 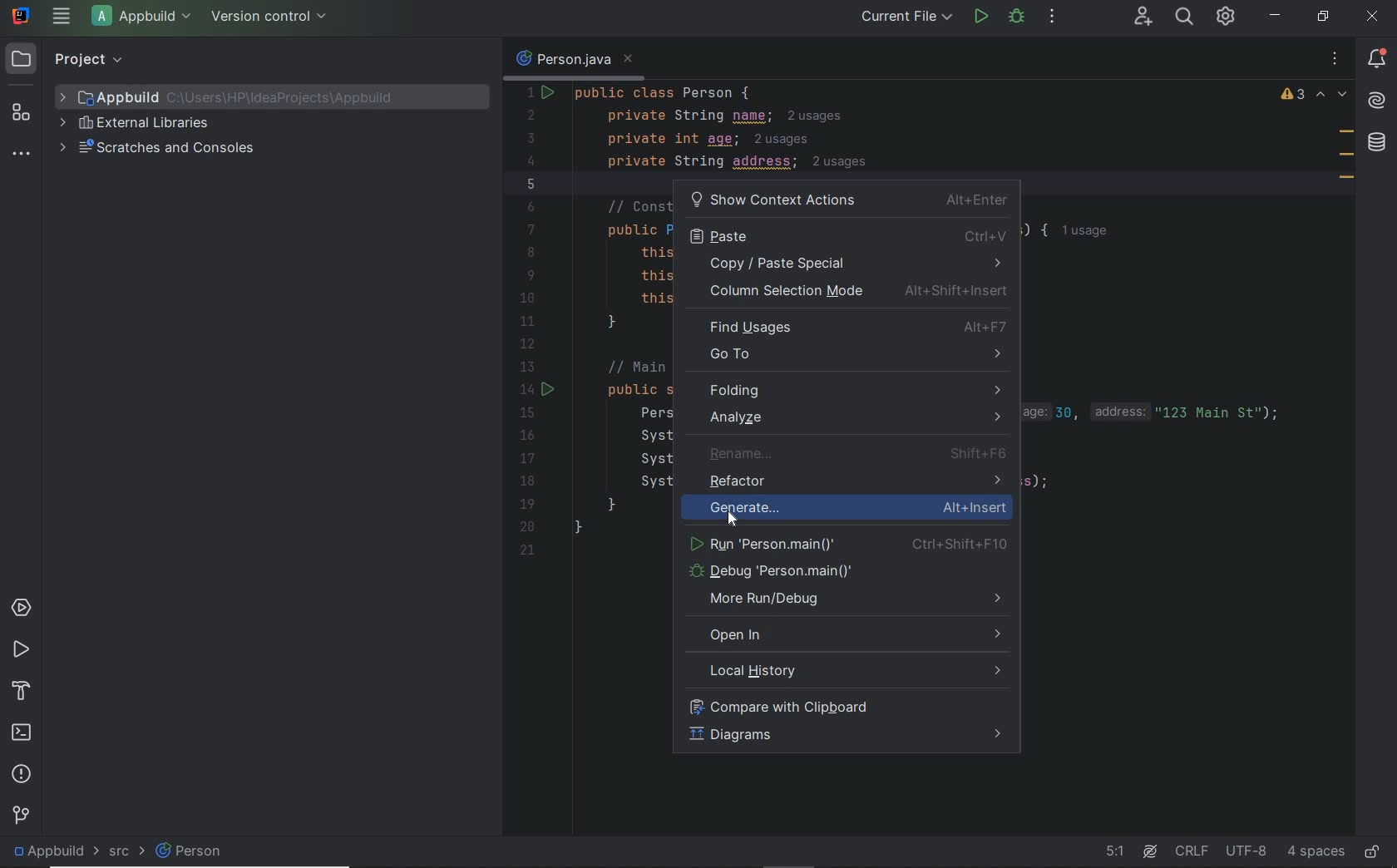 What do you see at coordinates (1377, 102) in the screenshot?
I see `AI Assistant` at bounding box center [1377, 102].